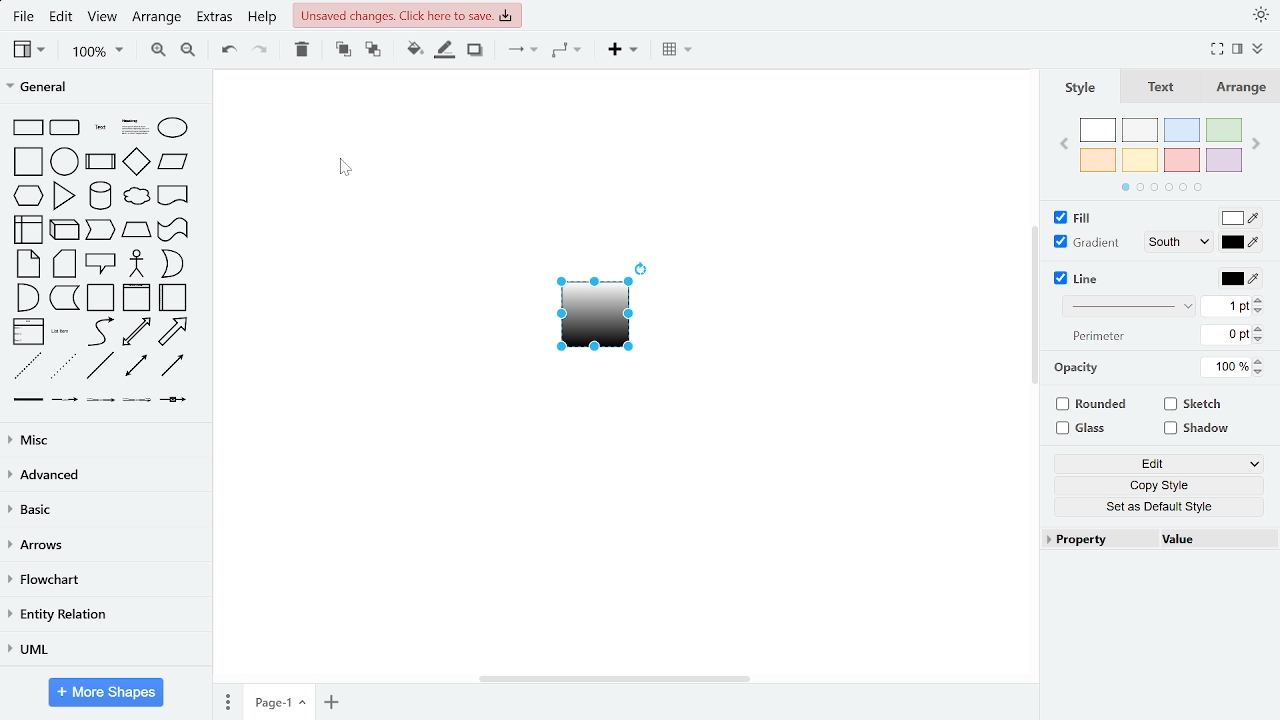 This screenshot has height=720, width=1280. I want to click on waypoints, so click(570, 52).